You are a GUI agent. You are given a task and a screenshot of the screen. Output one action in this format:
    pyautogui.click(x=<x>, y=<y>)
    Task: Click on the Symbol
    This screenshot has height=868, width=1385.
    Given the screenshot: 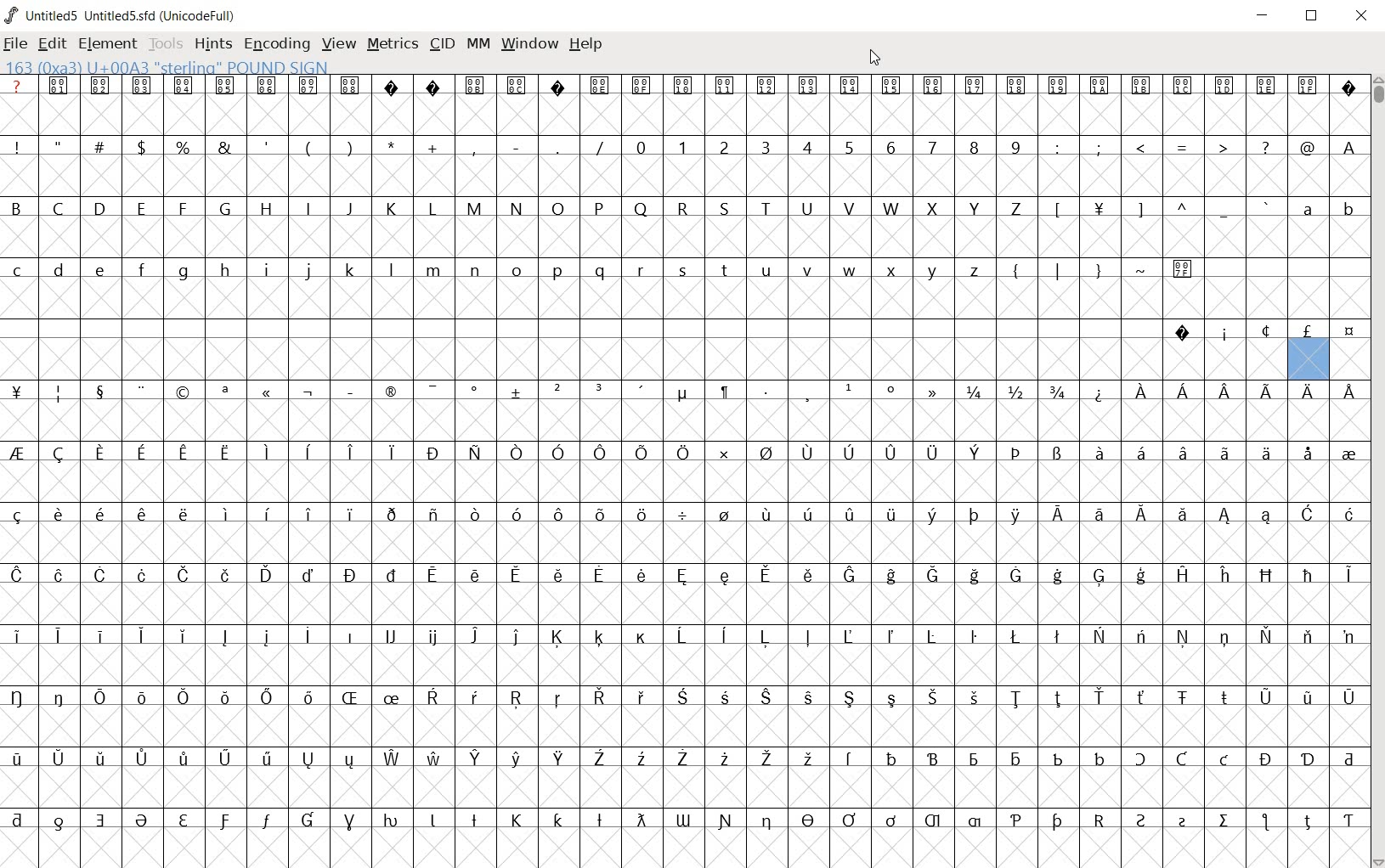 What is the action you would take?
    pyautogui.click(x=767, y=759)
    